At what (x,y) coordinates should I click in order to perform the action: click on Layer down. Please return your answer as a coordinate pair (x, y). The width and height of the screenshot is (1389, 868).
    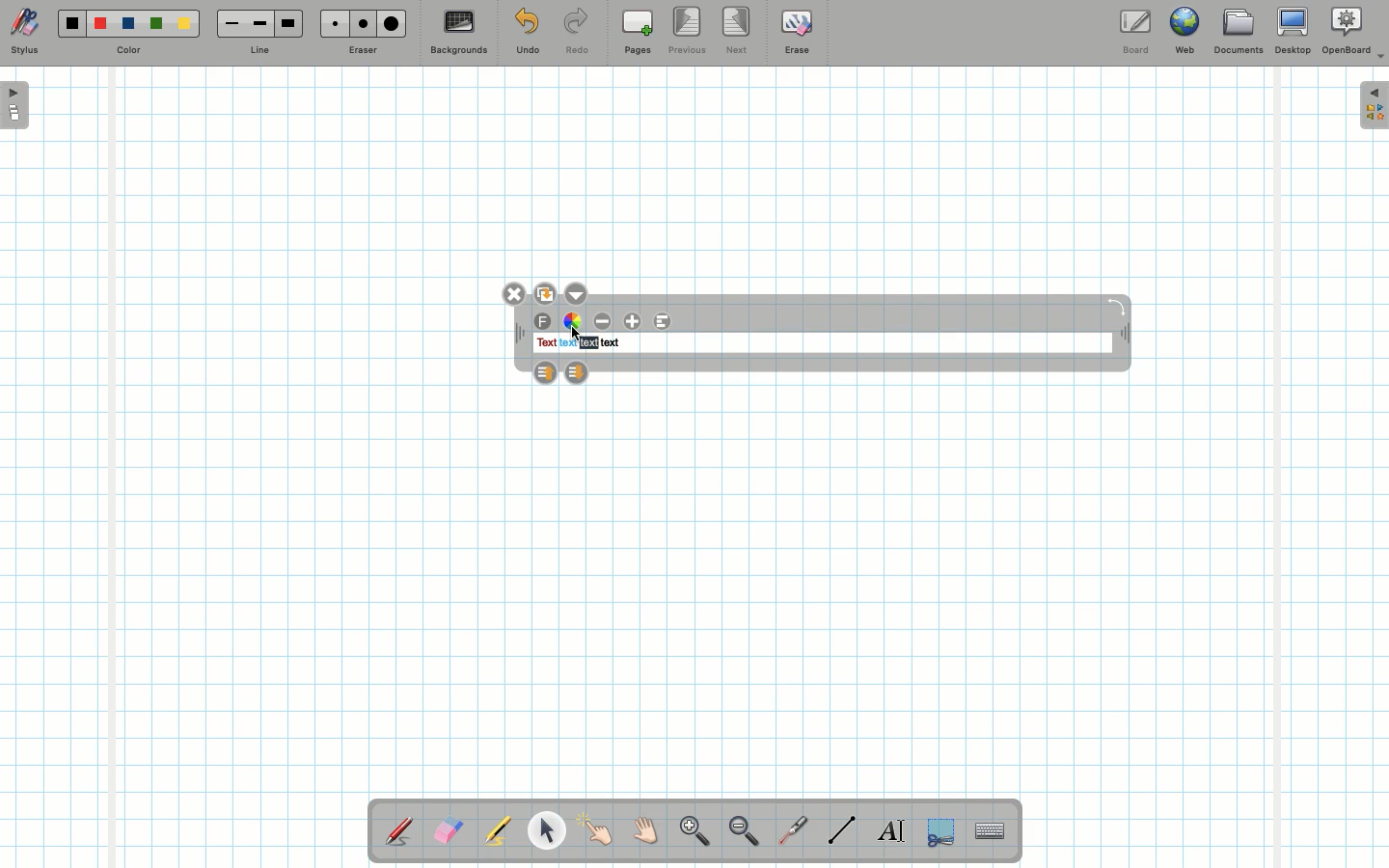
    Looking at the image, I should click on (578, 372).